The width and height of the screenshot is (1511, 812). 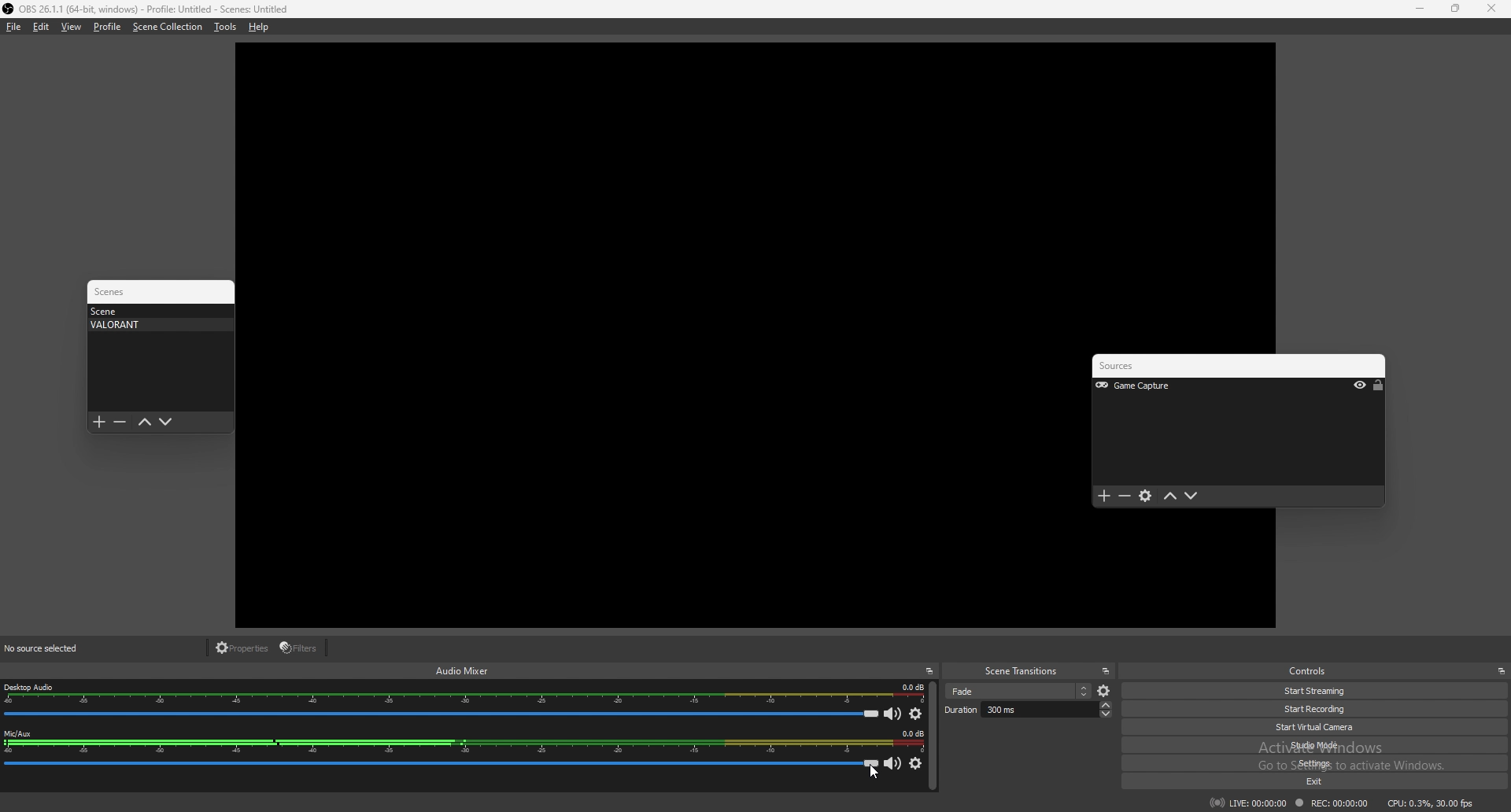 I want to click on edit, so click(x=41, y=27).